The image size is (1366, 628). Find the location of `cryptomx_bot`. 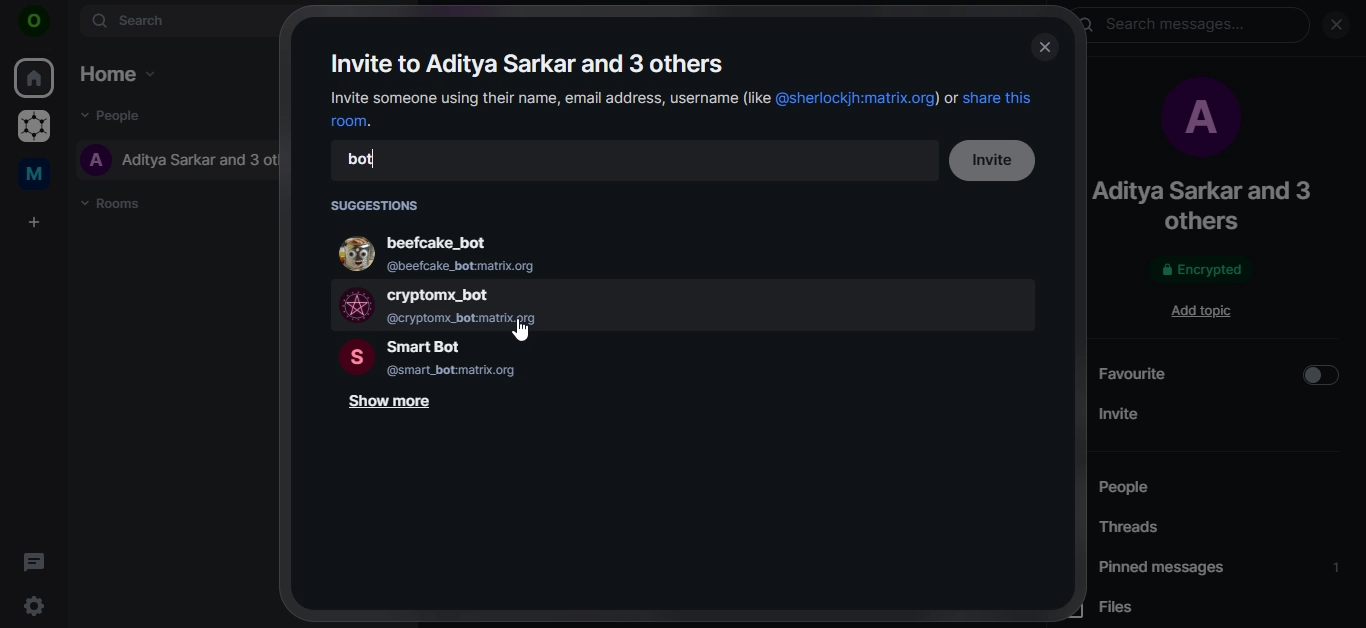

cryptomx_bot is located at coordinates (486, 304).